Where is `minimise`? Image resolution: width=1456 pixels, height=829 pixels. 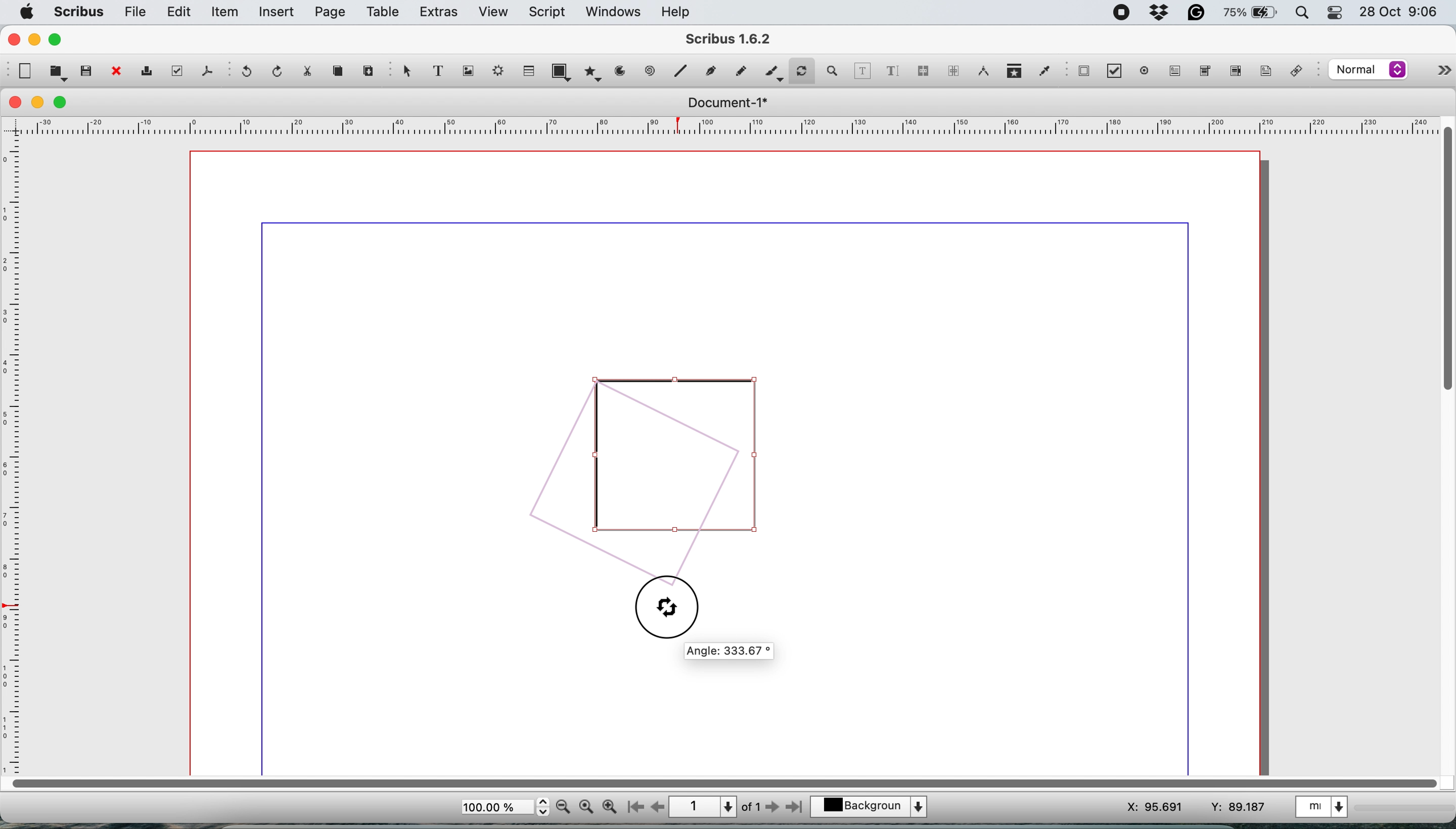
minimise is located at coordinates (39, 102).